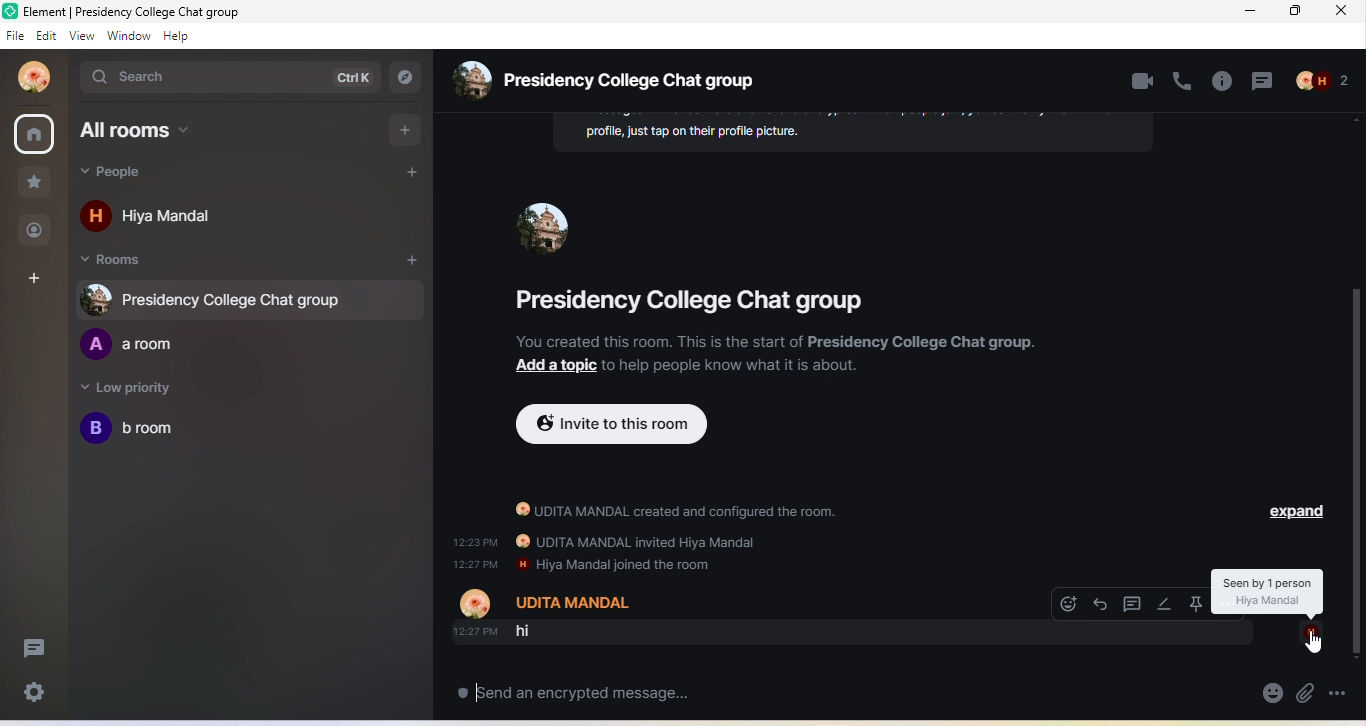 This screenshot has height=726, width=1366. Describe the element at coordinates (403, 176) in the screenshot. I see `start chat` at that location.